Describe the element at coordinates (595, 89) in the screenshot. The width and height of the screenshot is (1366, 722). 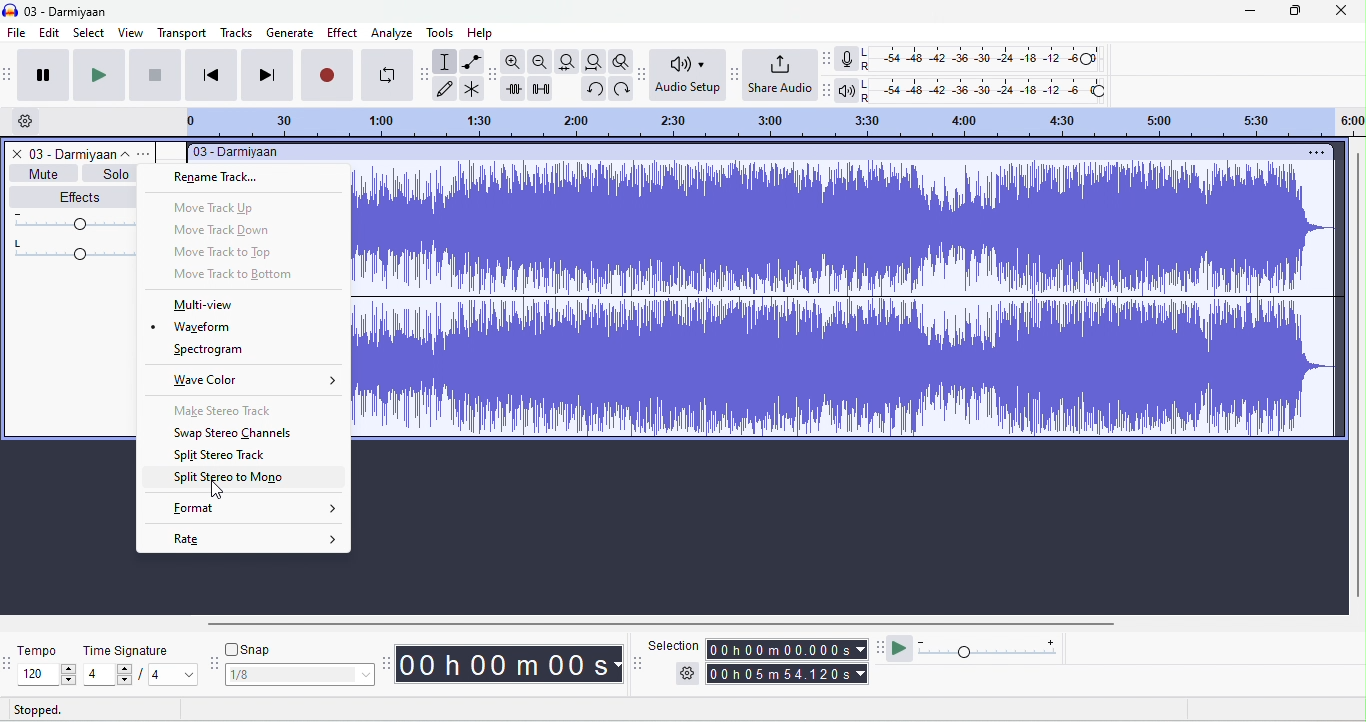
I see `undo` at that location.